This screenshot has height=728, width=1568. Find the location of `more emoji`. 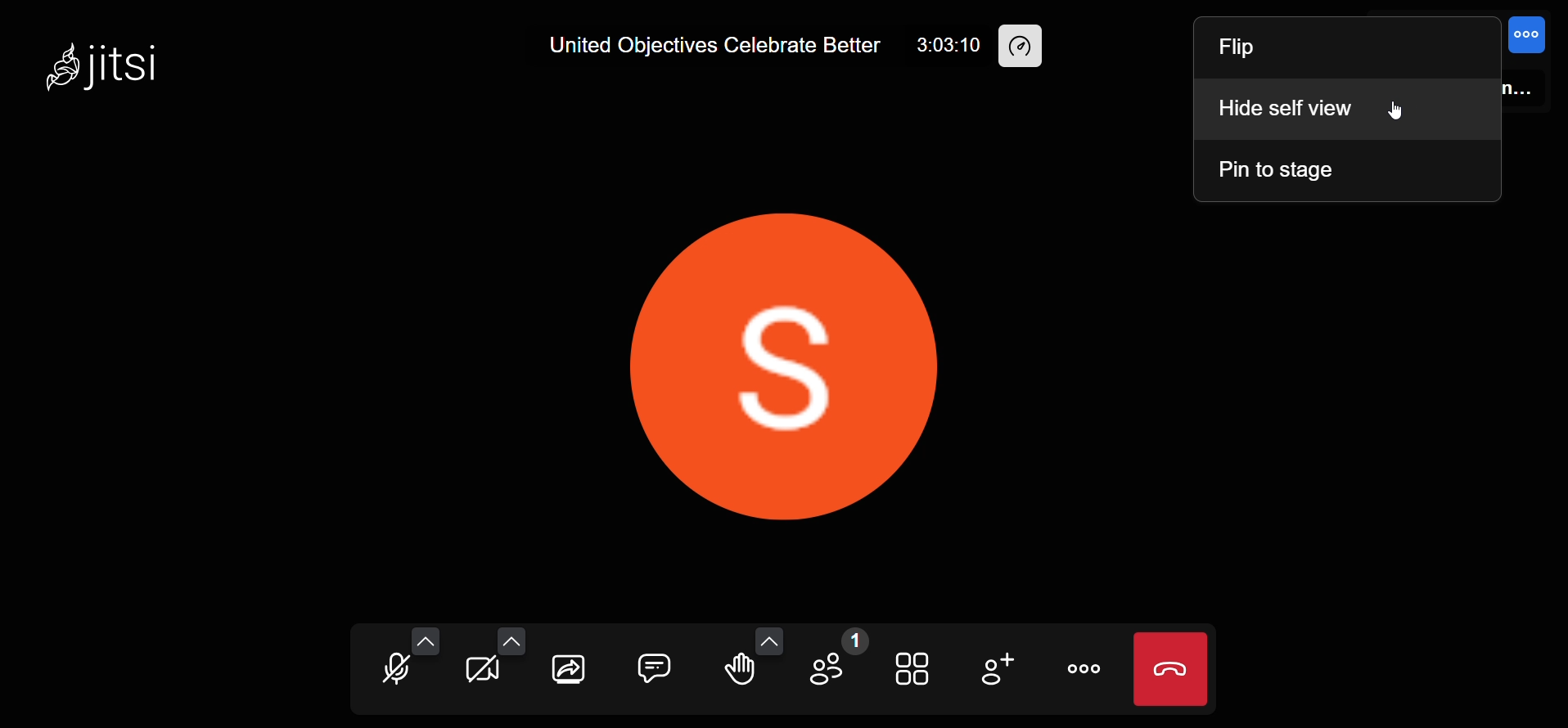

more emoji is located at coordinates (771, 640).